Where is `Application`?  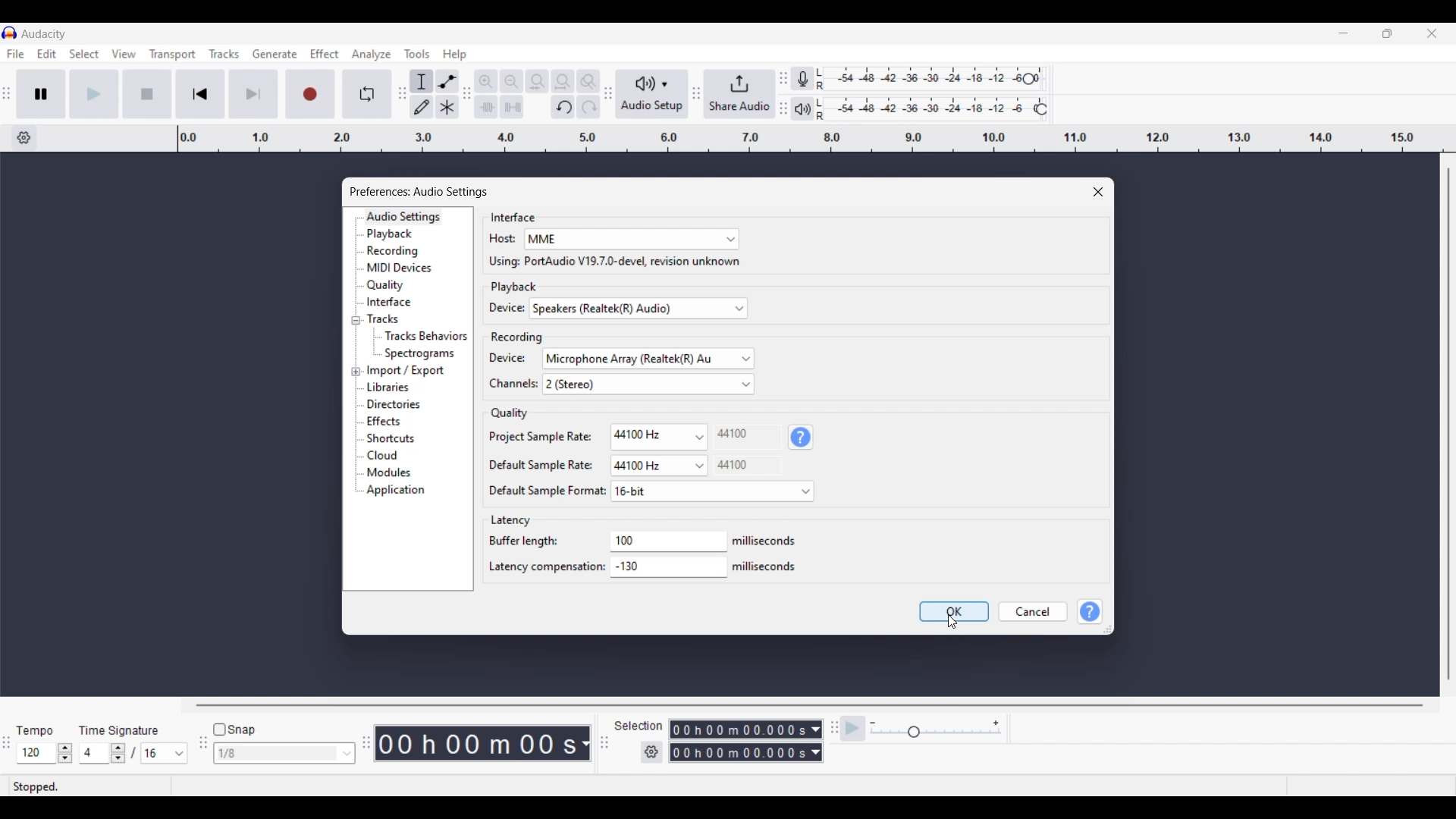 Application is located at coordinates (400, 491).